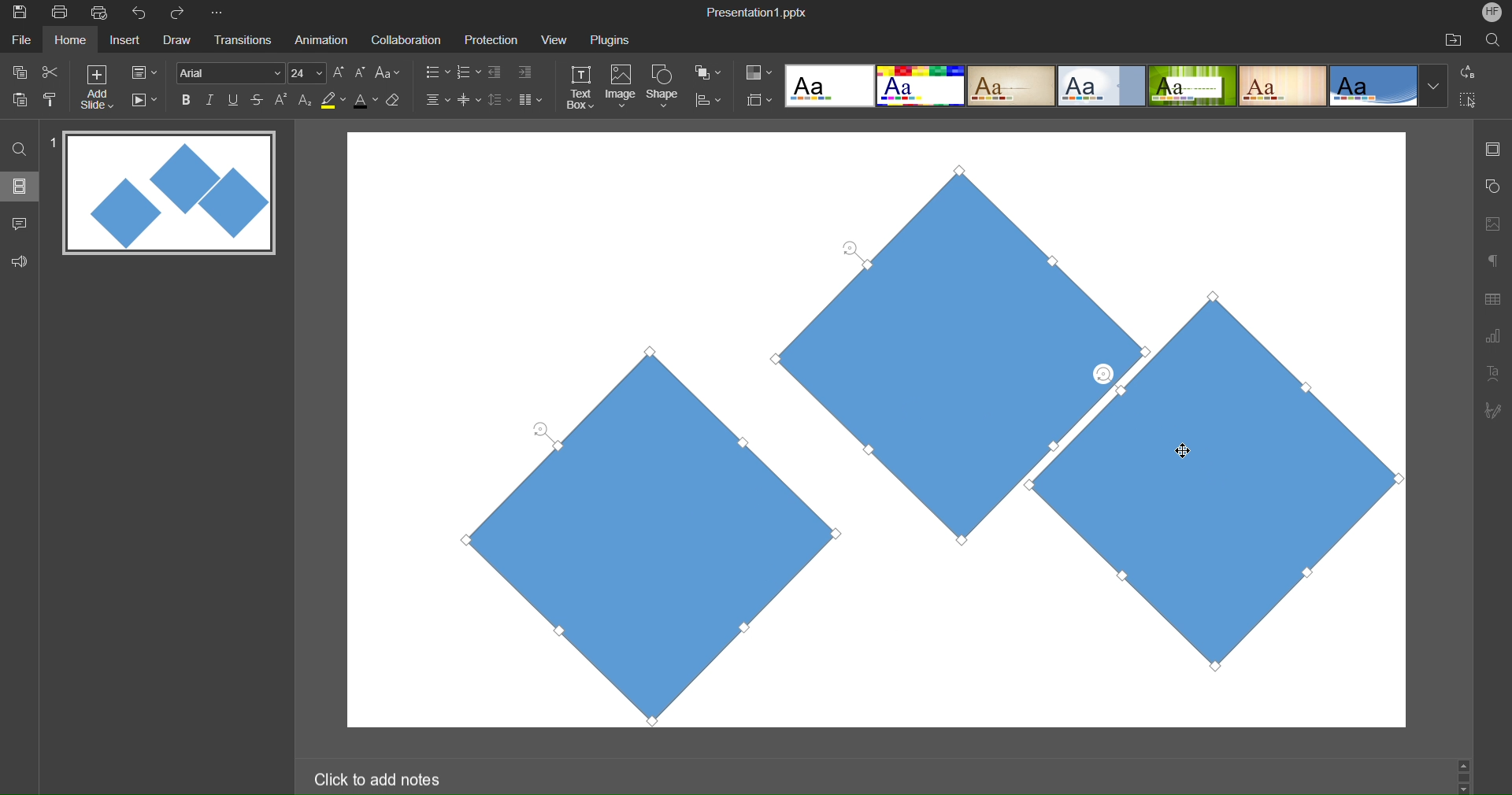 The height and width of the screenshot is (795, 1512). Describe the element at coordinates (234, 100) in the screenshot. I see `Underline` at that location.